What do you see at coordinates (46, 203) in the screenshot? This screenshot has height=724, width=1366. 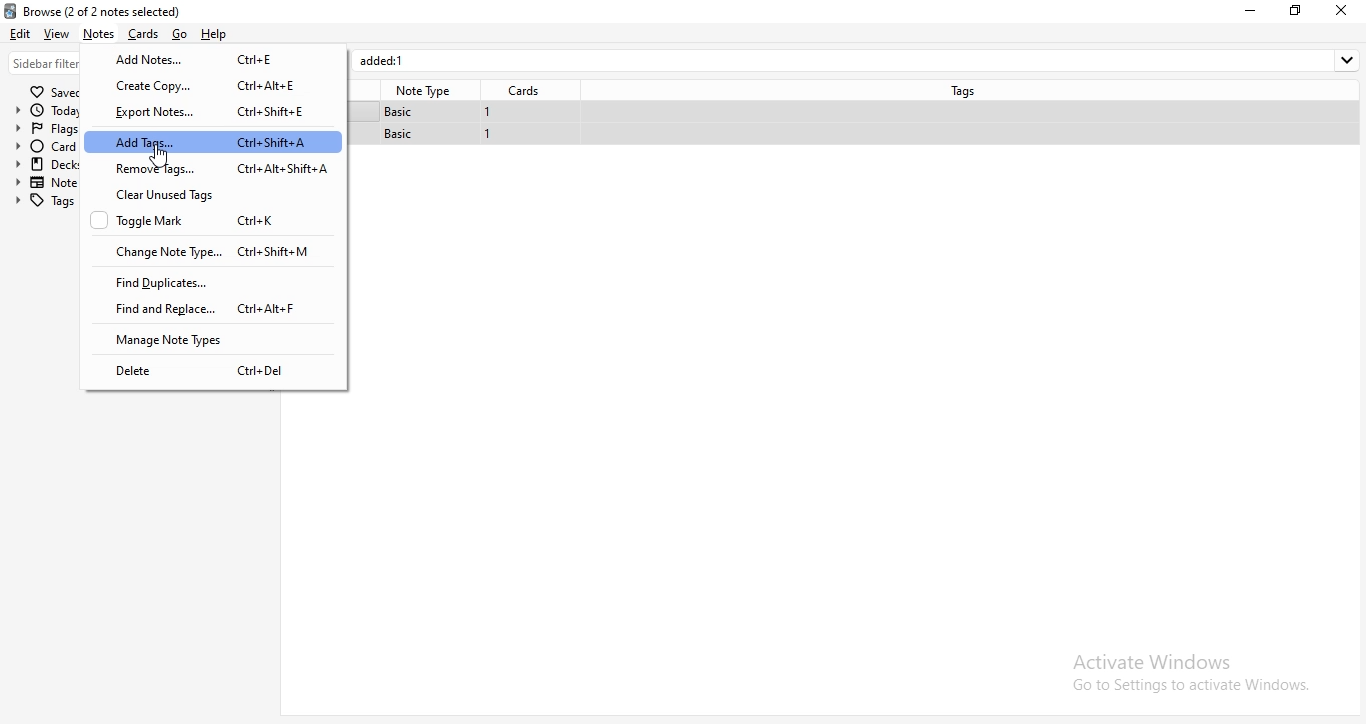 I see `tags` at bounding box center [46, 203].